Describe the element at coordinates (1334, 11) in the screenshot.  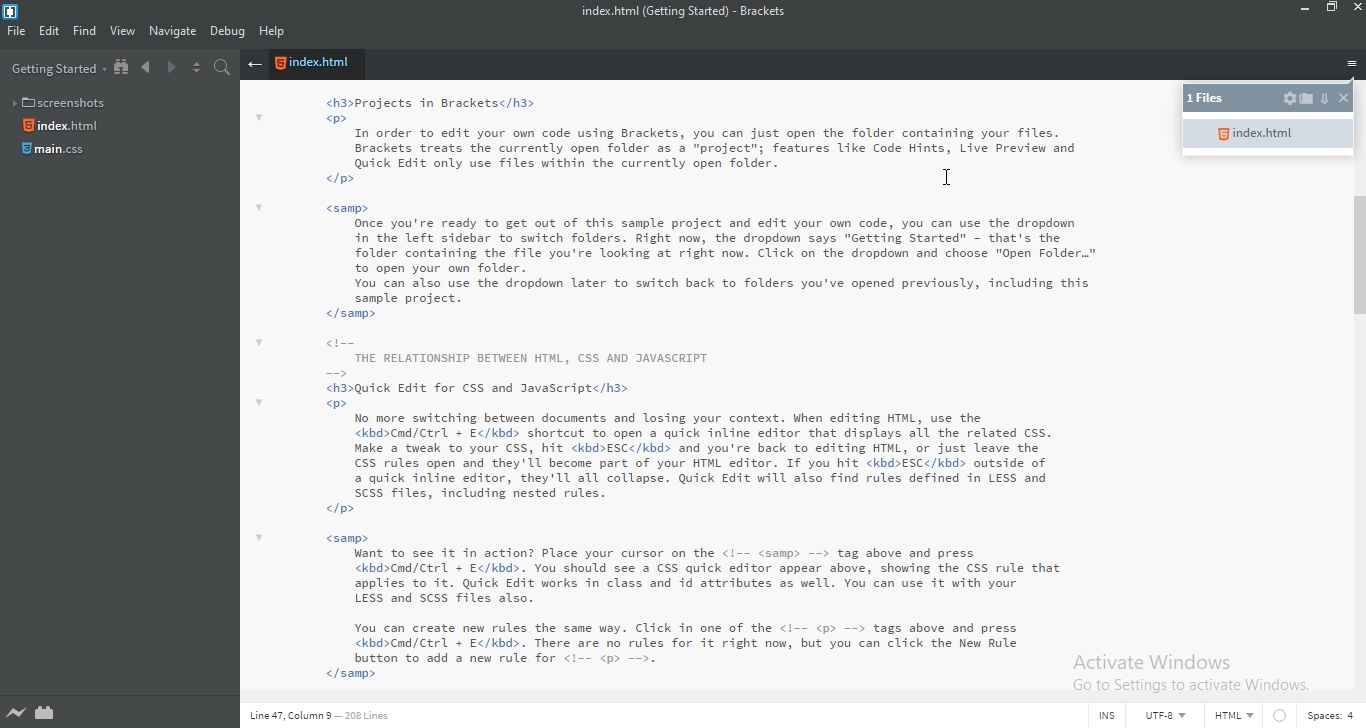
I see `restore` at that location.